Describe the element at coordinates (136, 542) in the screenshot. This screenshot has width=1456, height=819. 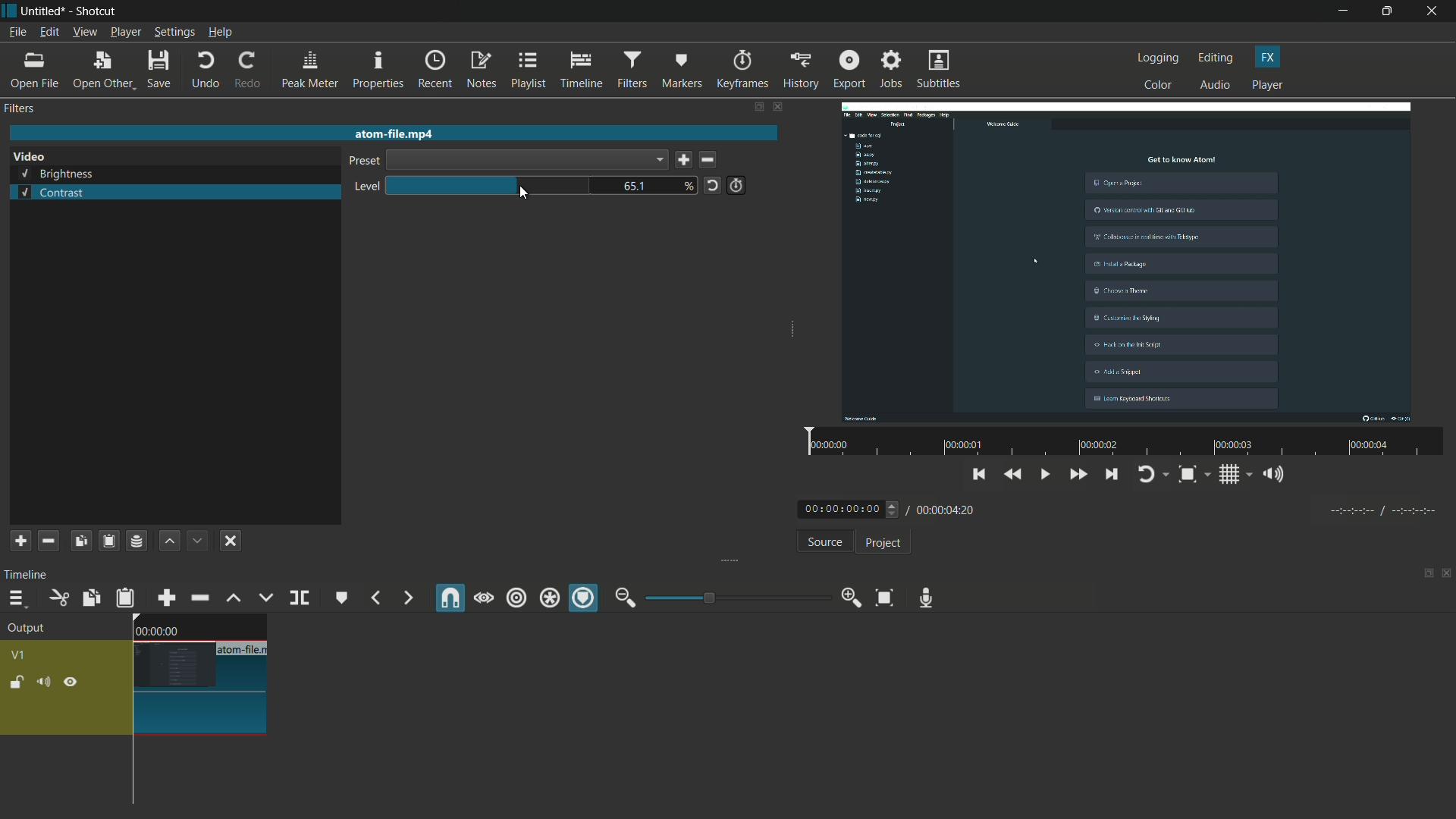
I see `save a filter set` at that location.